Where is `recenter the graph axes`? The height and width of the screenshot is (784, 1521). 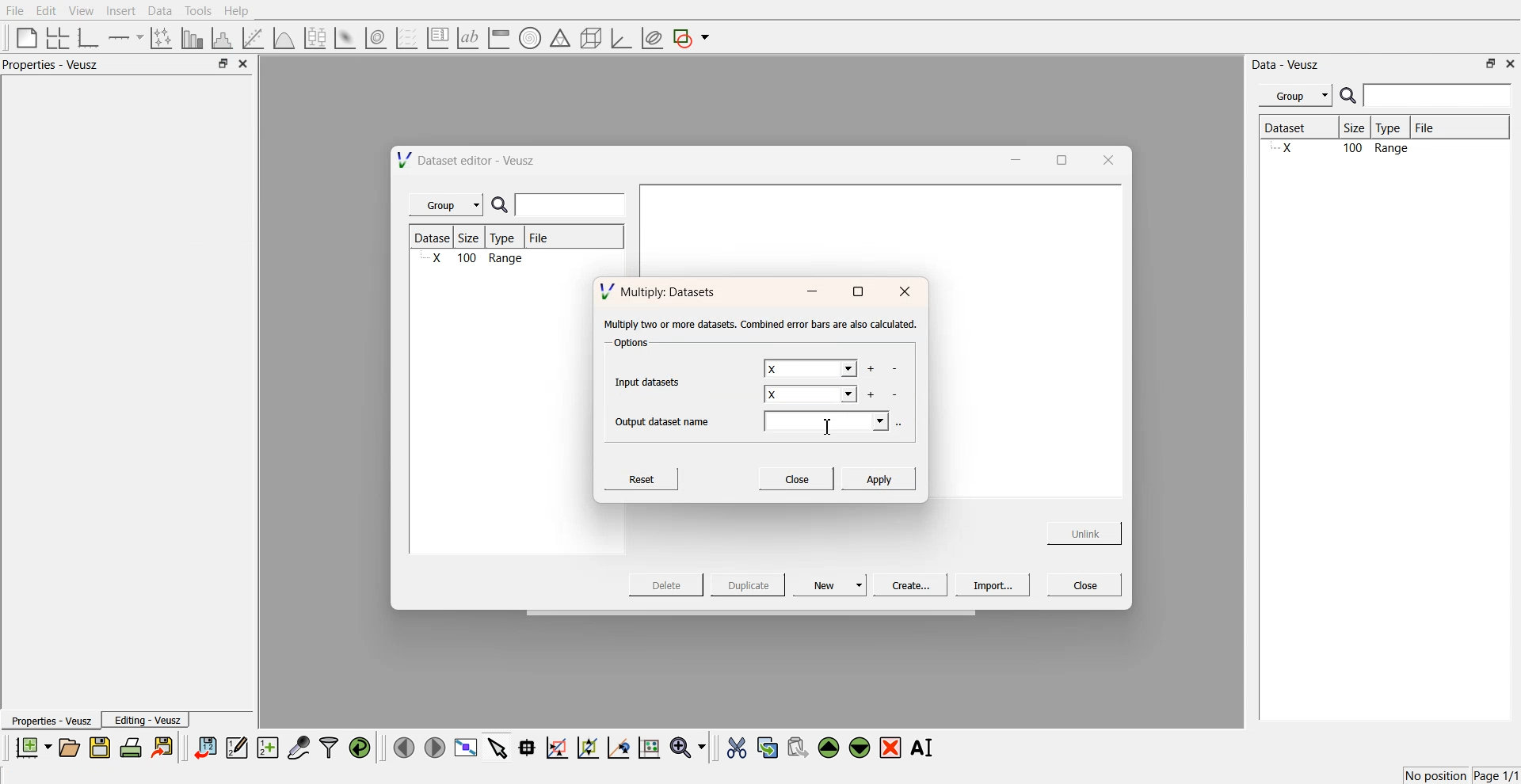 recenter the graph axes is located at coordinates (618, 747).